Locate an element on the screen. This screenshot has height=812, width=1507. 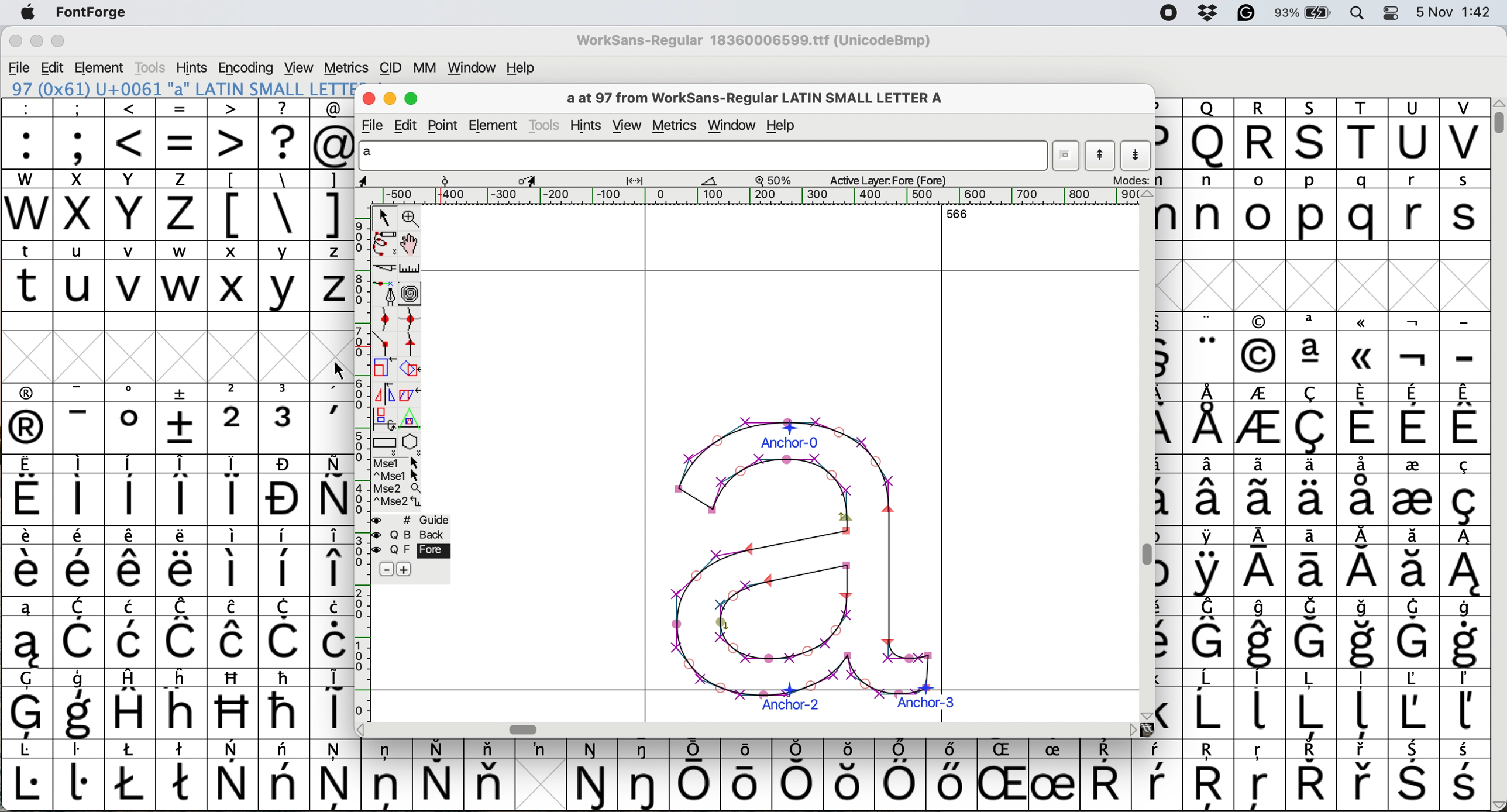
symbol is located at coordinates (79, 774).